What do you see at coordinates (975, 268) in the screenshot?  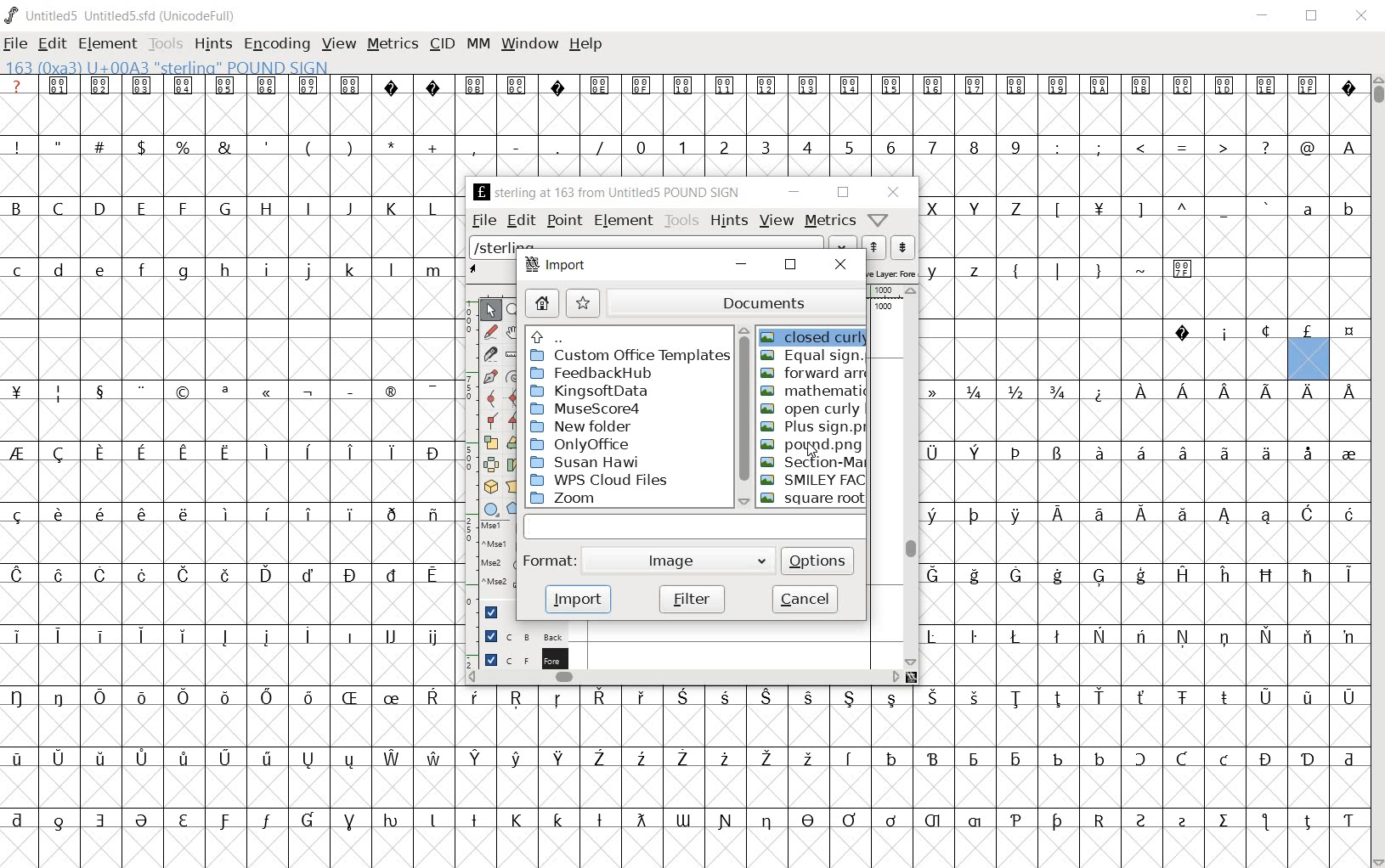 I see `z` at bounding box center [975, 268].